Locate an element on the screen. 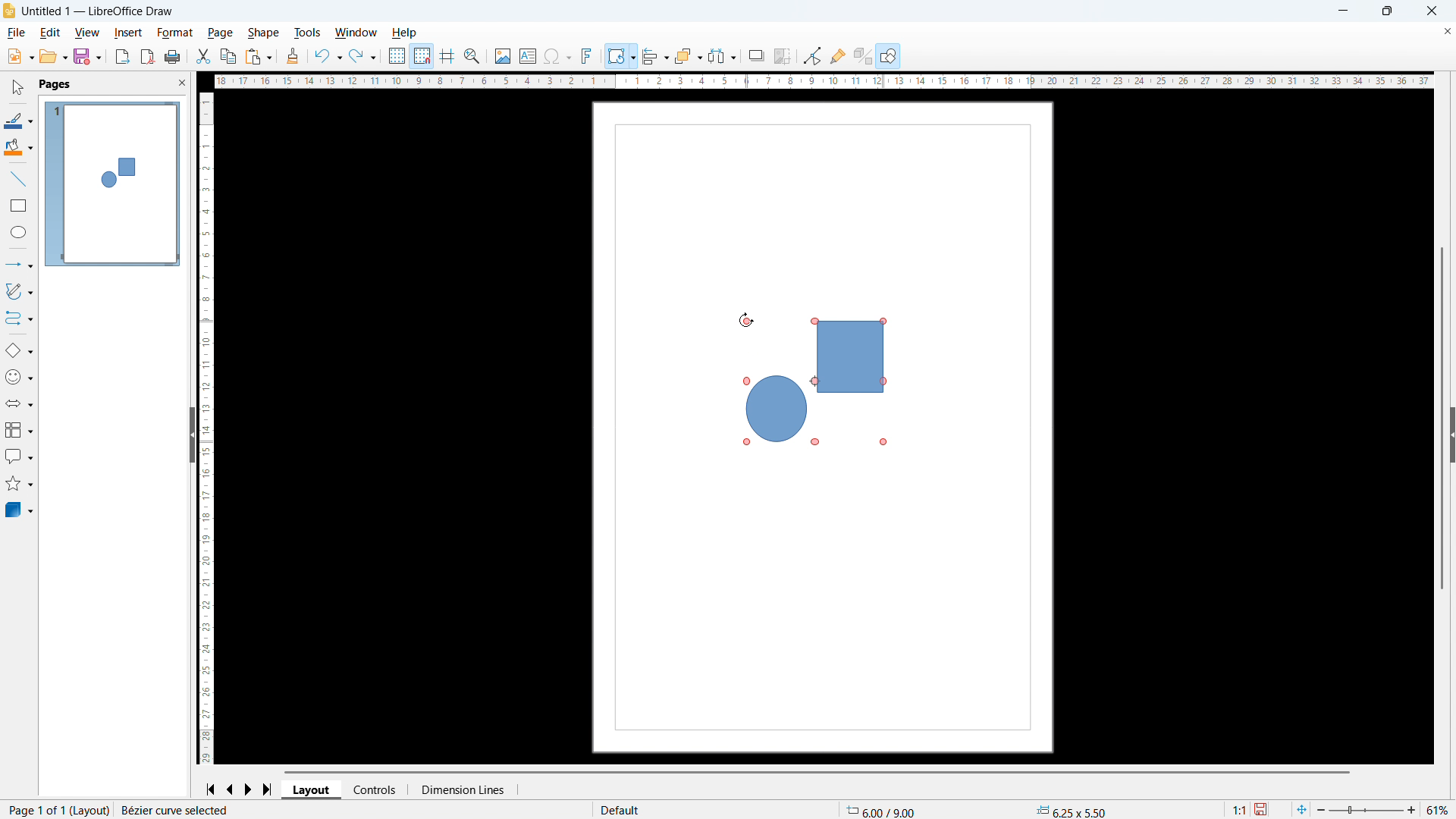 The image size is (1456, 819). Layout  is located at coordinates (312, 790).